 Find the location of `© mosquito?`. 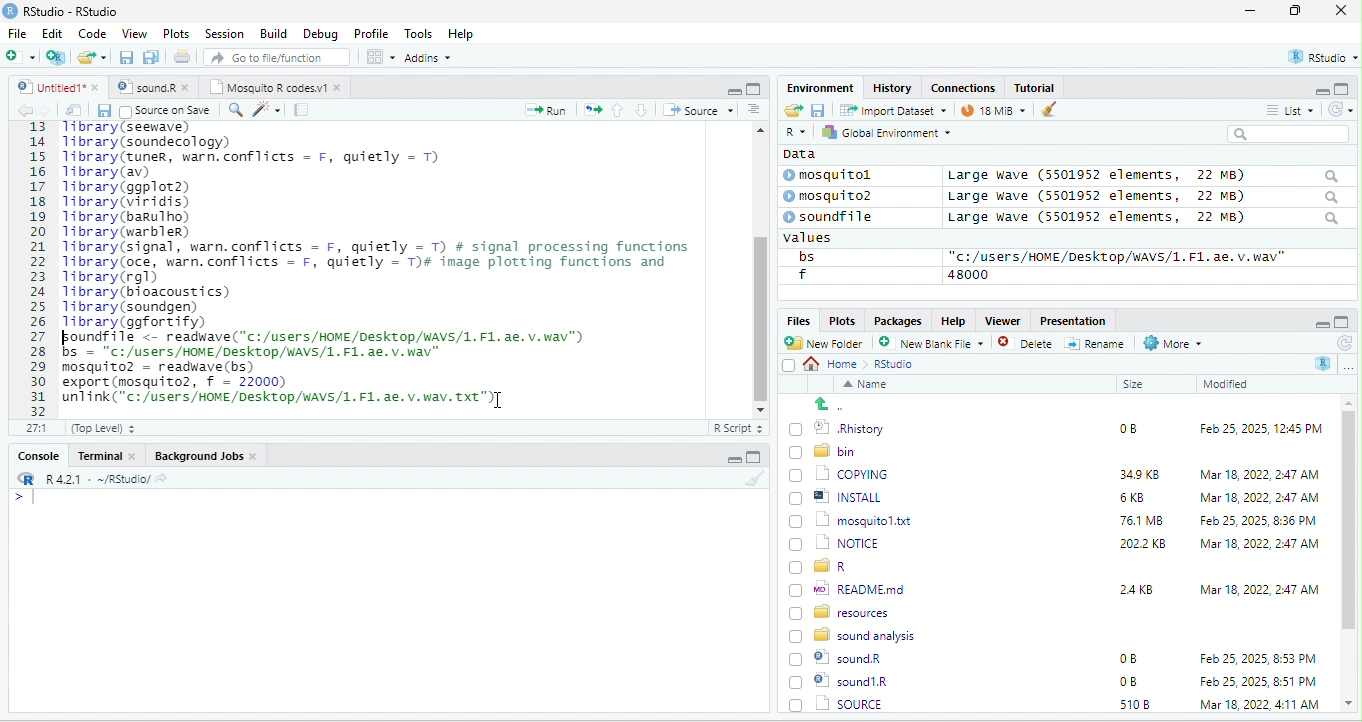

© mosquito? is located at coordinates (834, 194).